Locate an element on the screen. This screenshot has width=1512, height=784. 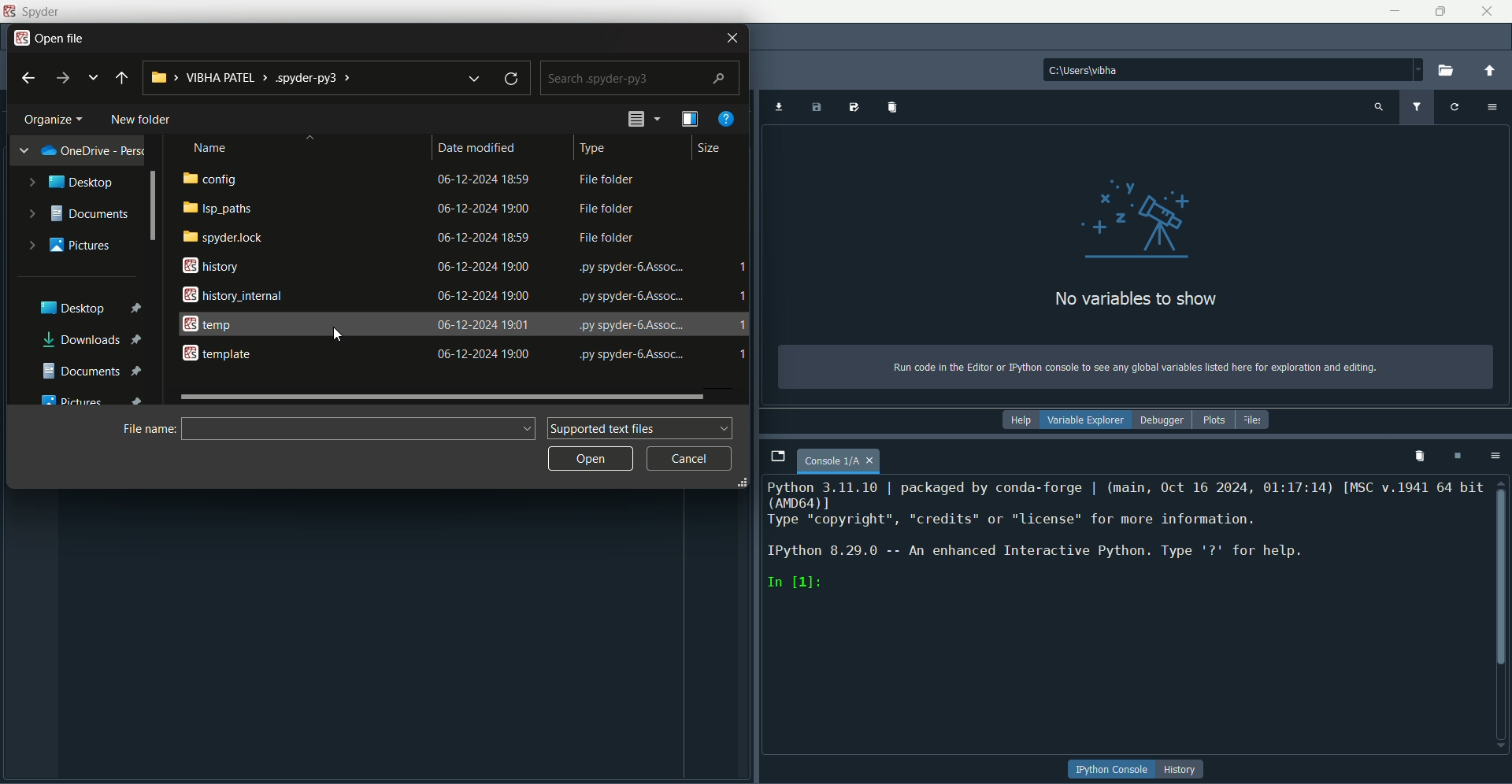
pictures is located at coordinates (98, 398).